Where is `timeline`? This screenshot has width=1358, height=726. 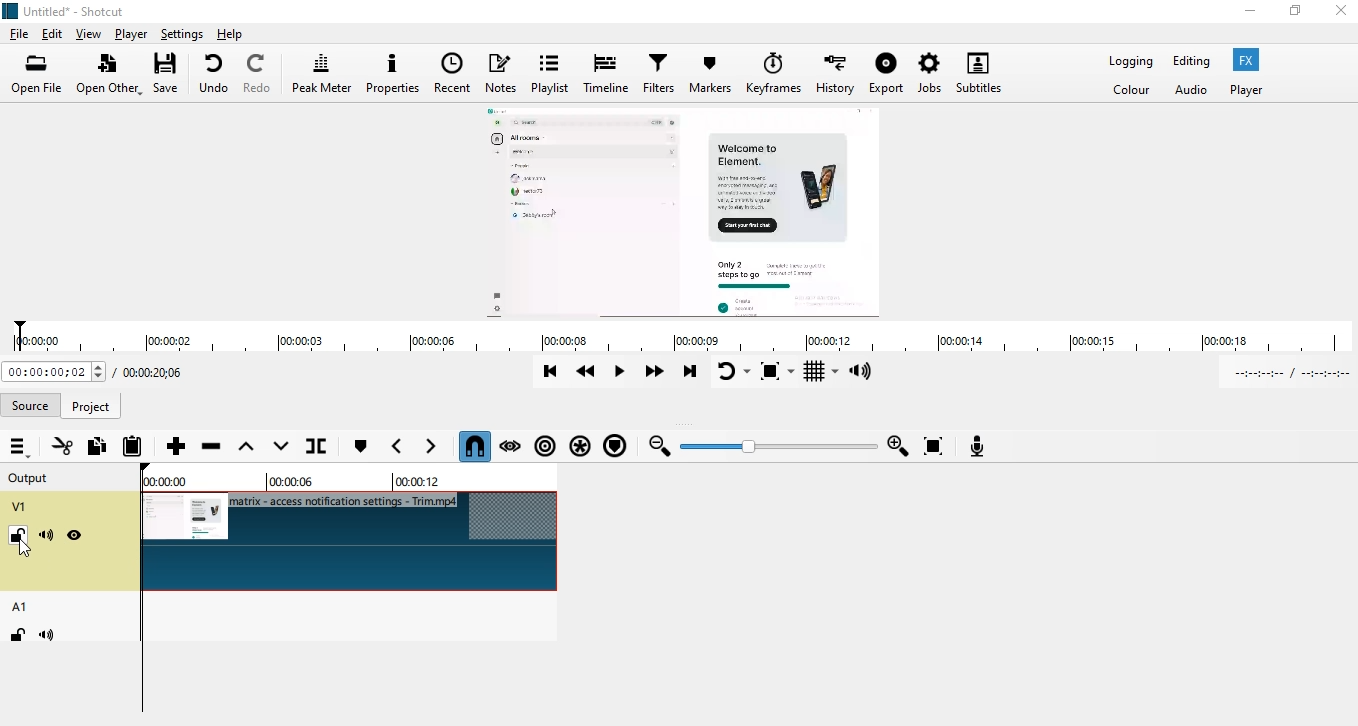 timeline is located at coordinates (608, 75).